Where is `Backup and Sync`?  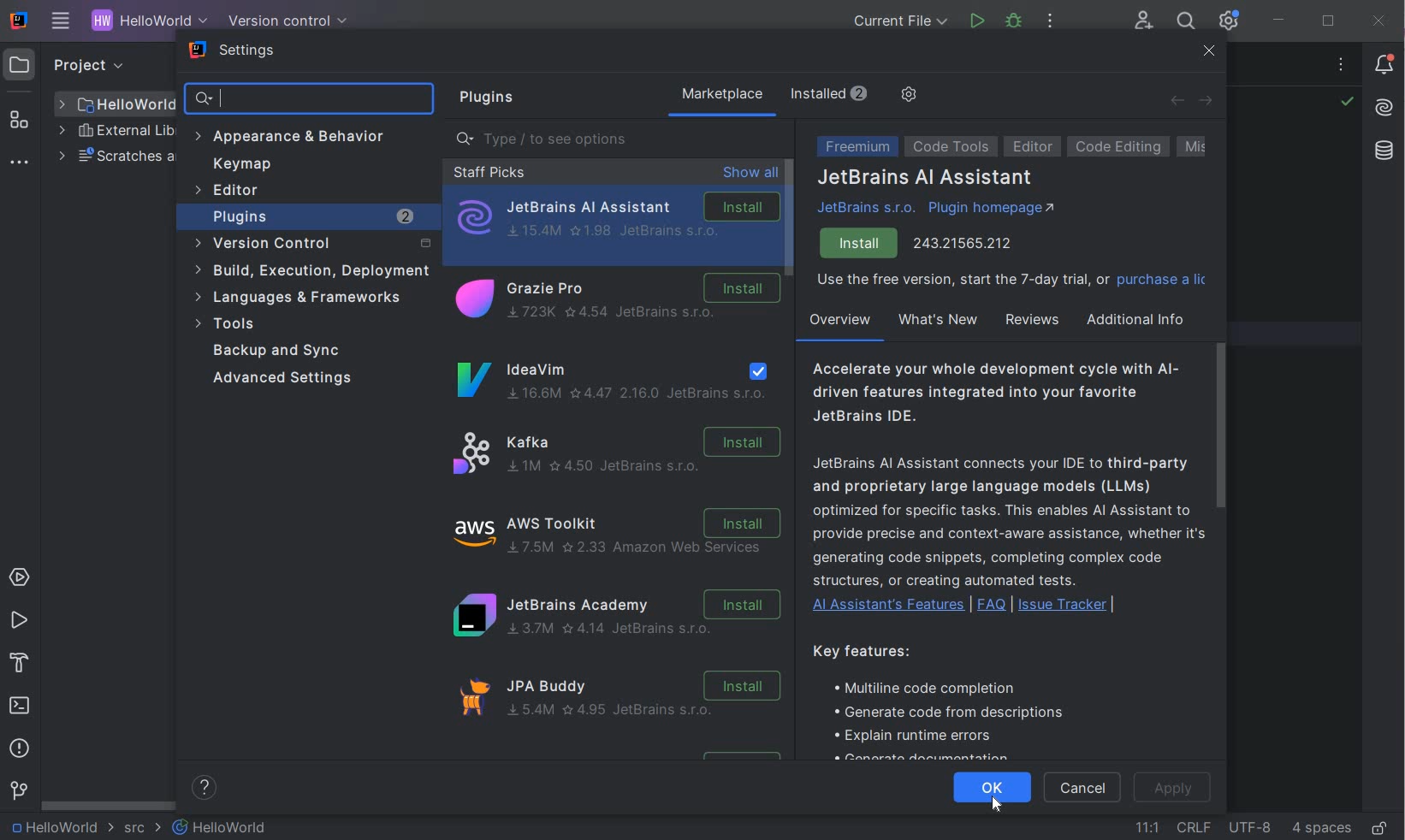 Backup and Sync is located at coordinates (282, 351).